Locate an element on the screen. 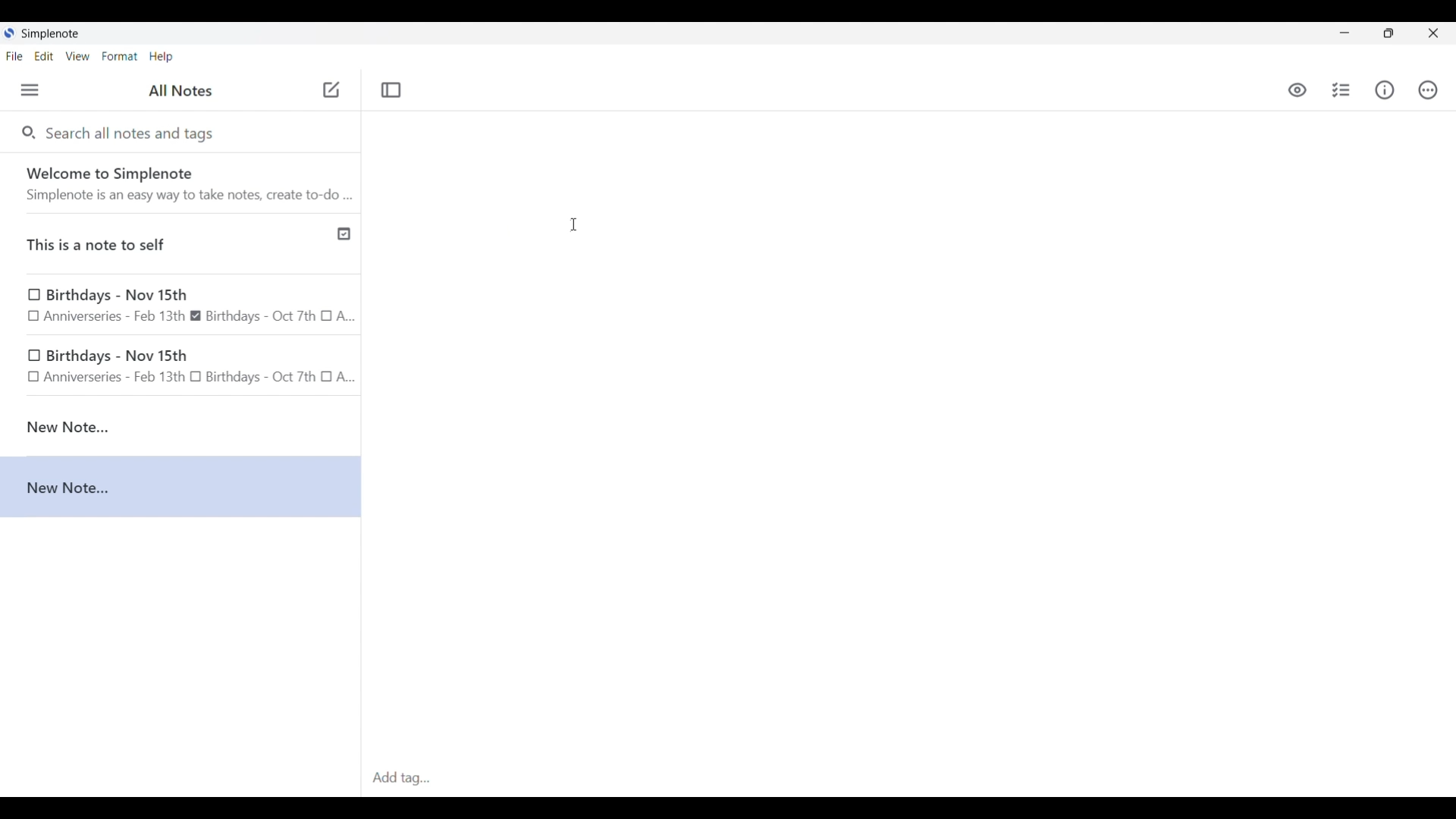 This screenshot has height=819, width=1456. birthday note is located at coordinates (182, 369).